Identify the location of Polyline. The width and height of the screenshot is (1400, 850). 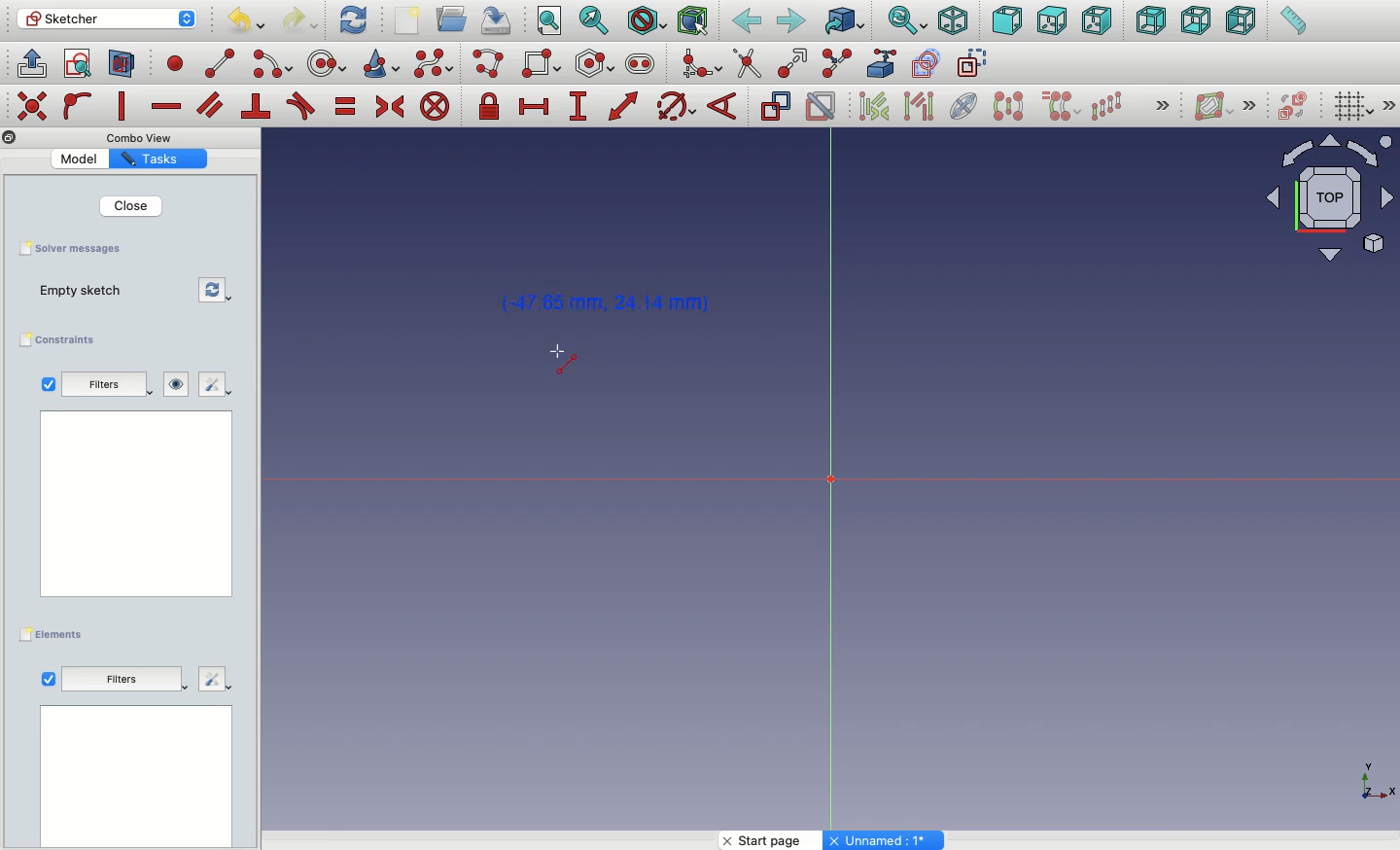
(492, 64).